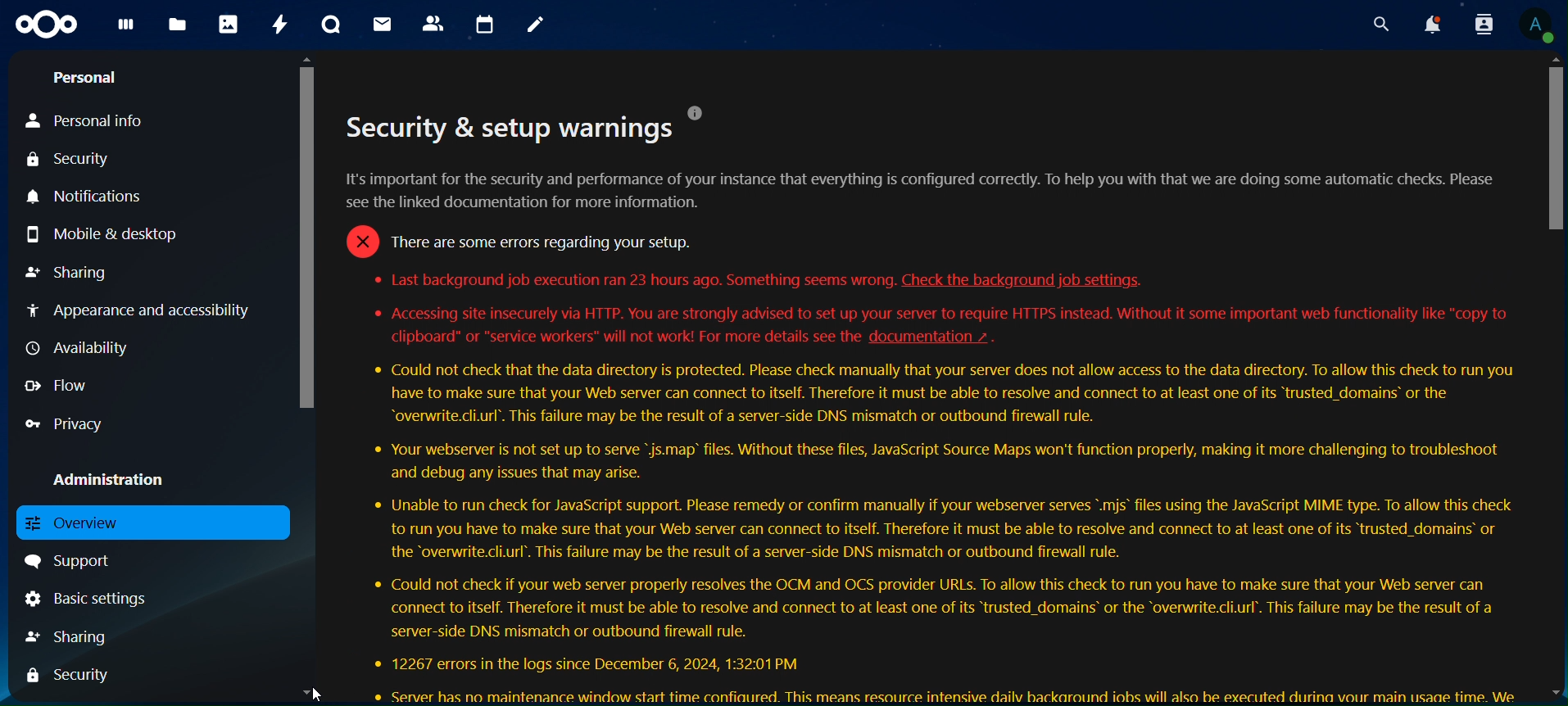 The width and height of the screenshot is (1568, 706). Describe the element at coordinates (97, 79) in the screenshot. I see `peronal` at that location.